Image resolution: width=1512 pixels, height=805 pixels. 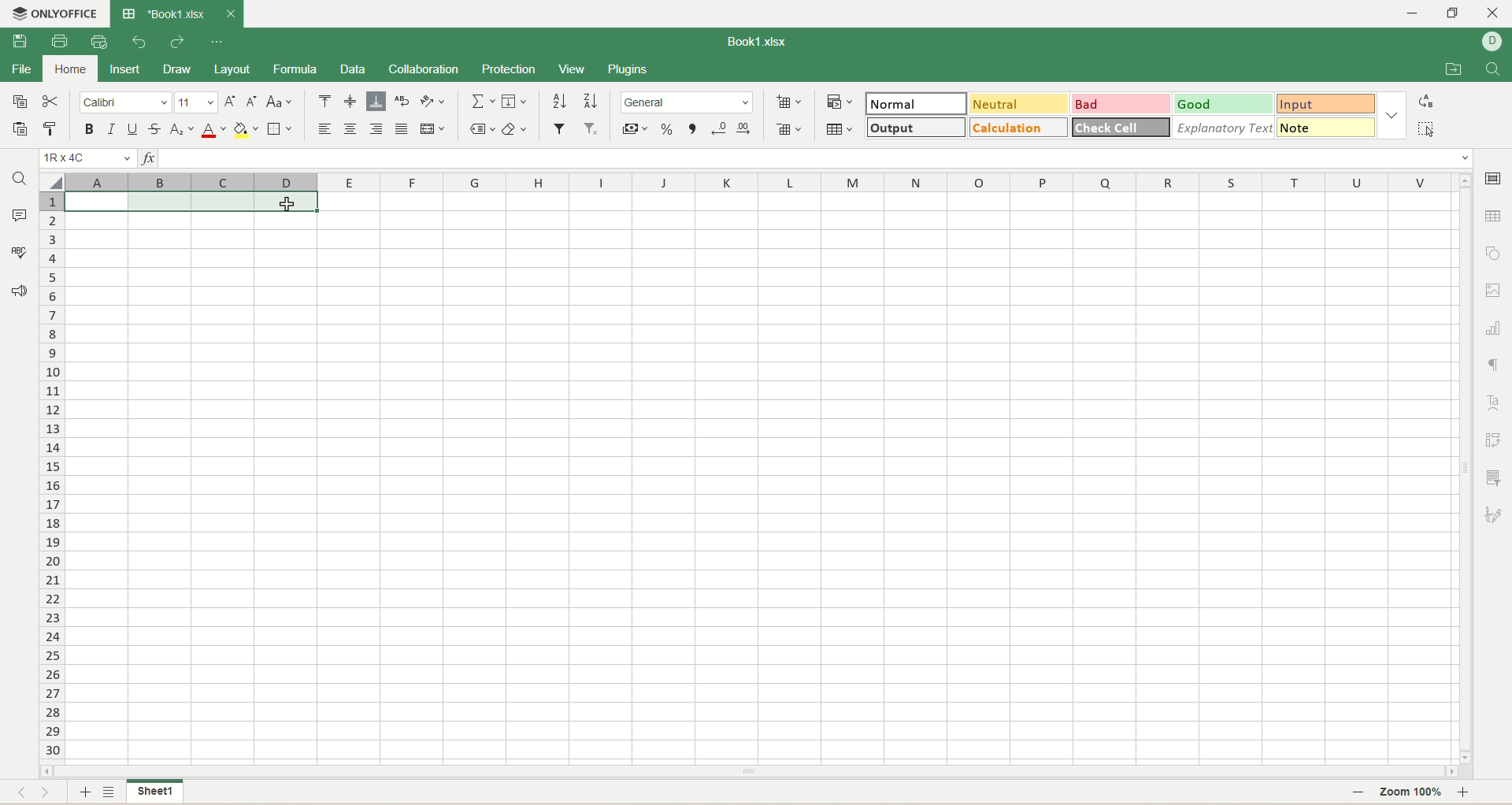 What do you see at coordinates (232, 102) in the screenshot?
I see `increase size` at bounding box center [232, 102].